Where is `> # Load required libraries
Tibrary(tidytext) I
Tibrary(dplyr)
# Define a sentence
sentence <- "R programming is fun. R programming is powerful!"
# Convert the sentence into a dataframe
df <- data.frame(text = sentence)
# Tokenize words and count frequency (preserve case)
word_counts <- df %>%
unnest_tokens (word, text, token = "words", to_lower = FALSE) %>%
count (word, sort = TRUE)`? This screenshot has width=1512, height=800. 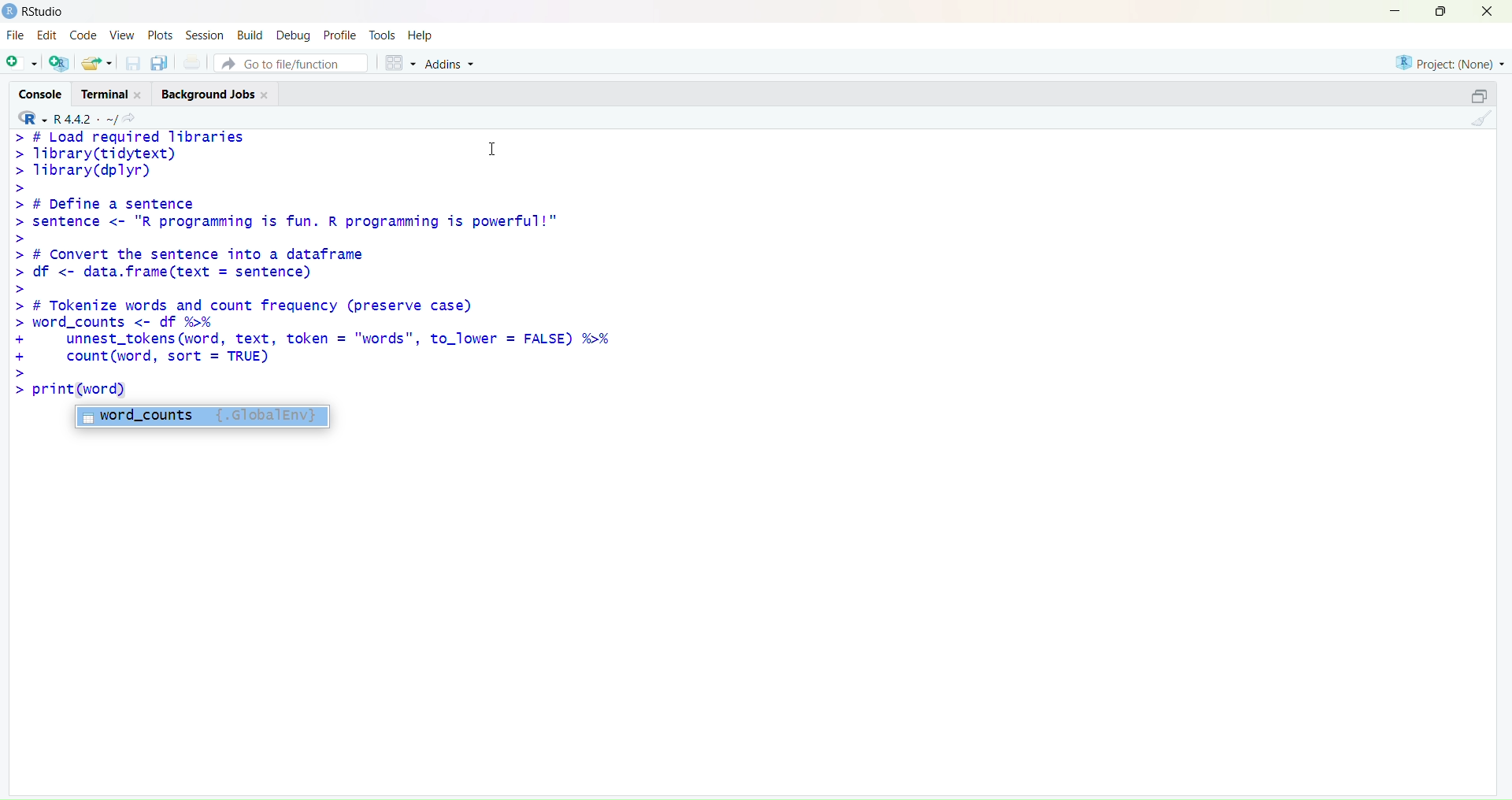
> # Load required libraries
Tibrary(tidytext) I
Tibrary(dplyr)
# Define a sentence
sentence <- "R programming is fun. R programming is powerful!"
# Convert the sentence into a dataframe
df <- data.frame(text = sentence)
# Tokenize words and count frequency (preserve case)
word_counts <- df %>%
unnest_tokens (word, text, token = "words", to_lower = FALSE) %>%
count (word, sort = TRUE) is located at coordinates (362, 254).